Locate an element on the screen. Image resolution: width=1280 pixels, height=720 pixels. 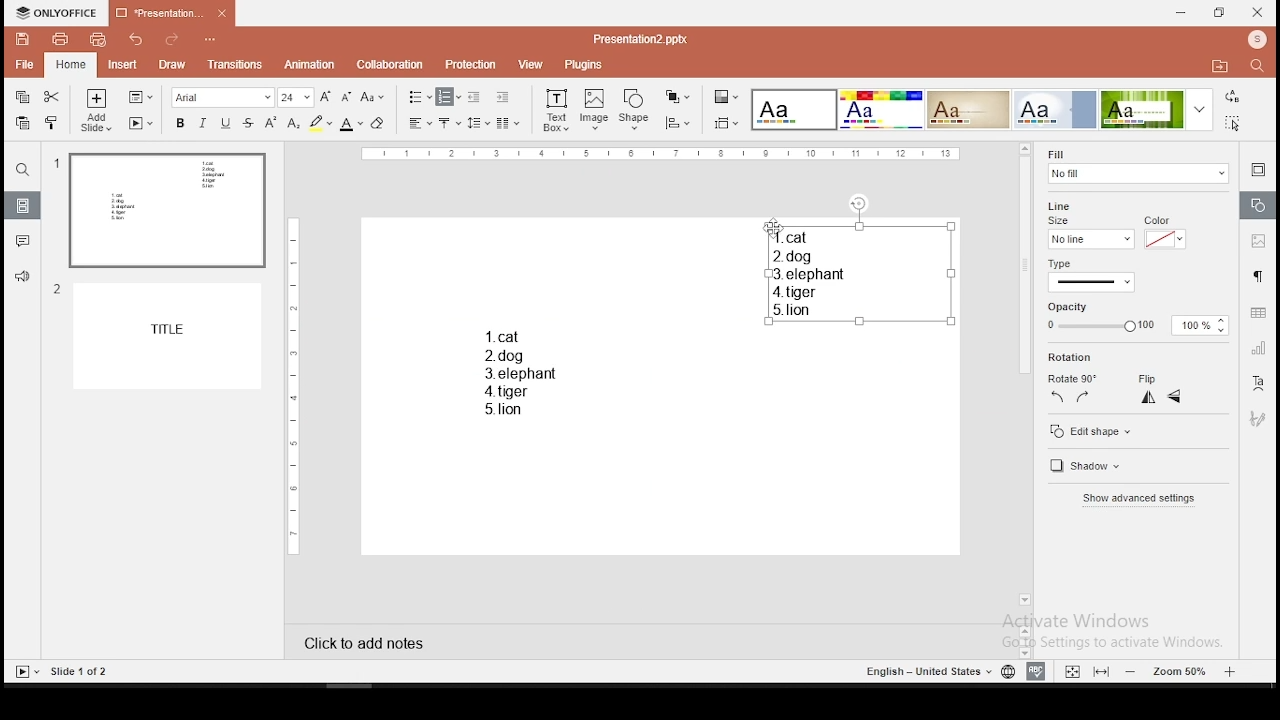
icon is located at coordinates (1256, 41).